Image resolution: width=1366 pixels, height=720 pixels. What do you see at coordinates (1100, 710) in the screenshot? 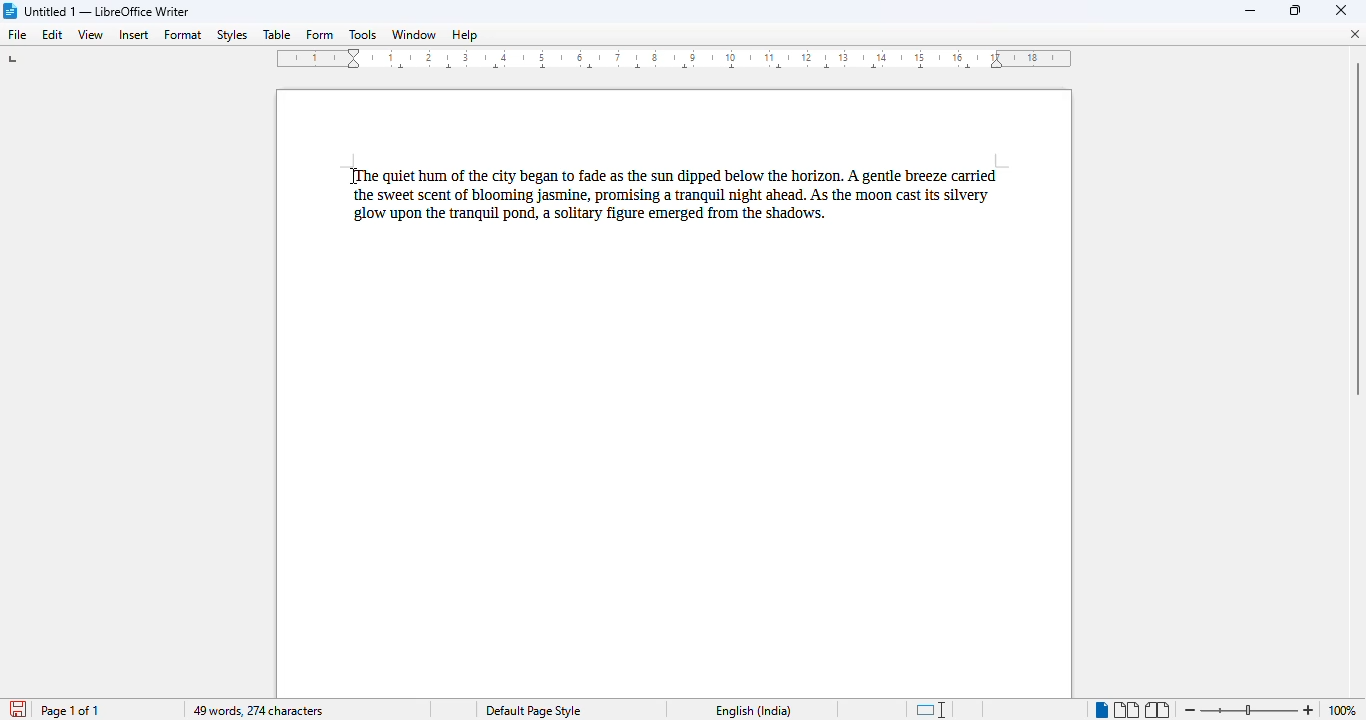
I see `single-page view` at bounding box center [1100, 710].